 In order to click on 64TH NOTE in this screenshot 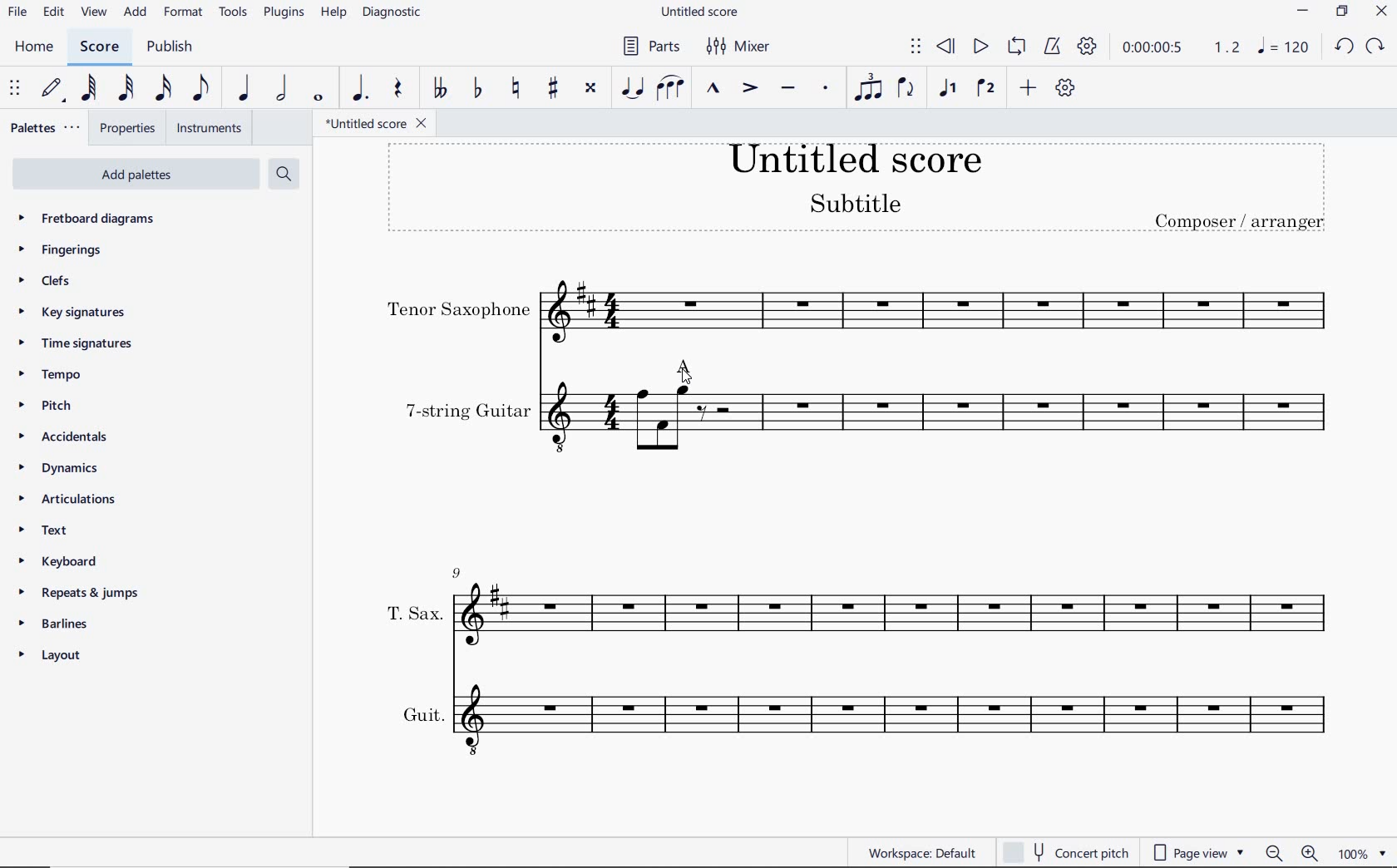, I will do `click(90, 90)`.